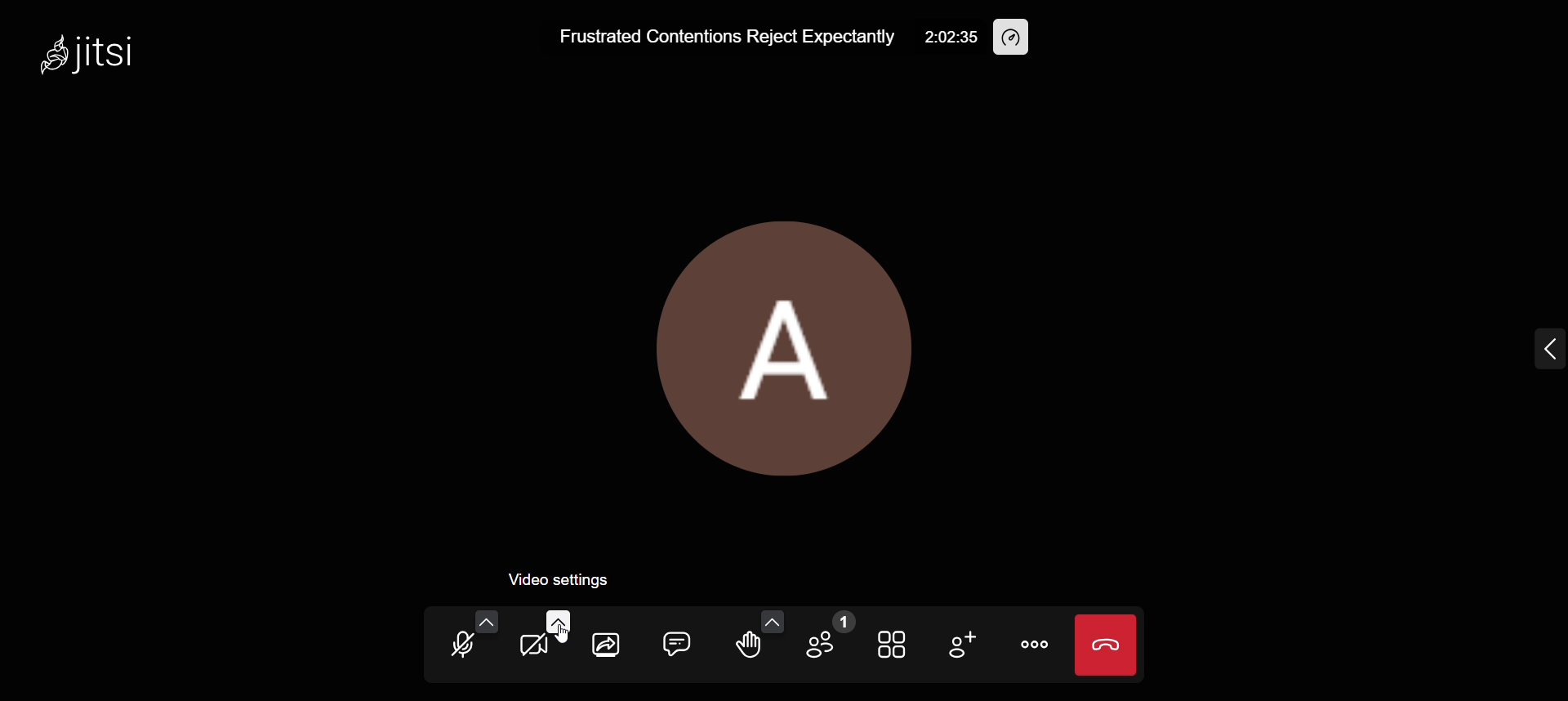  I want to click on Frustrated Contentions Reject Expectantly, so click(716, 37).